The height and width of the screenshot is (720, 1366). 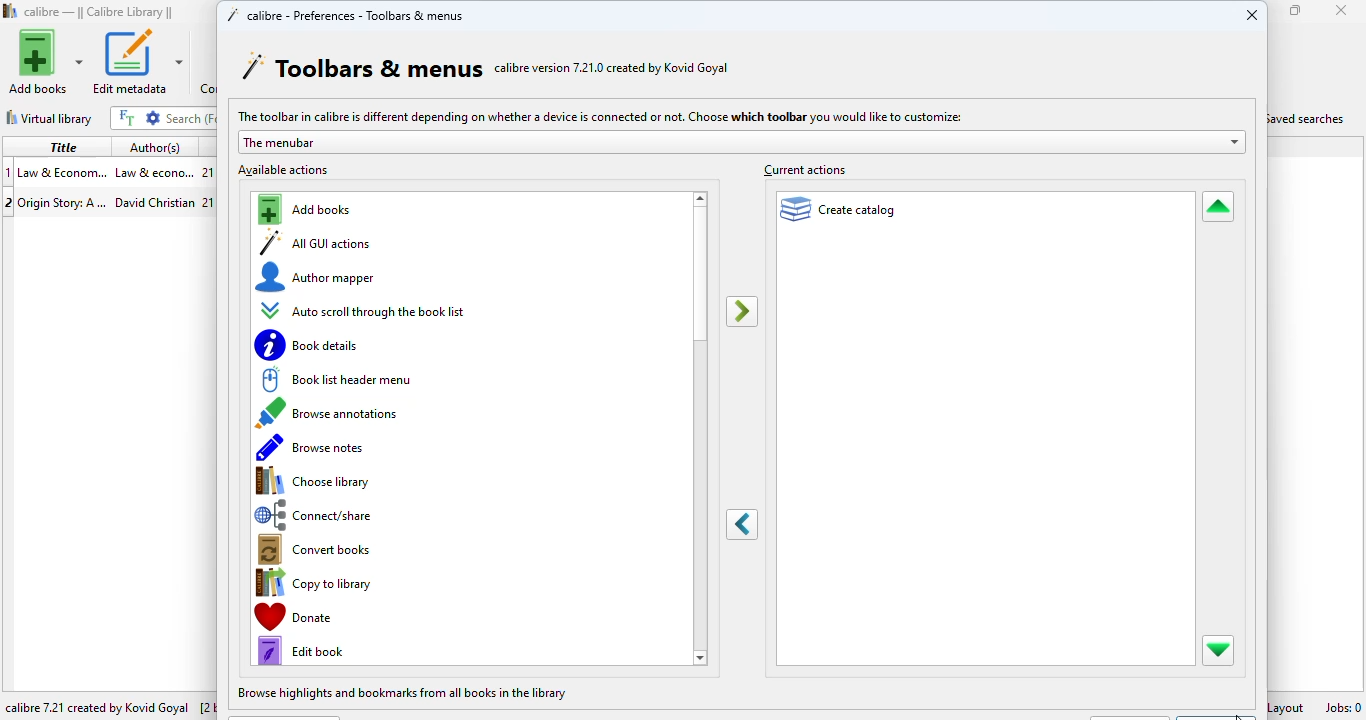 I want to click on jobs: 0, so click(x=1343, y=707).